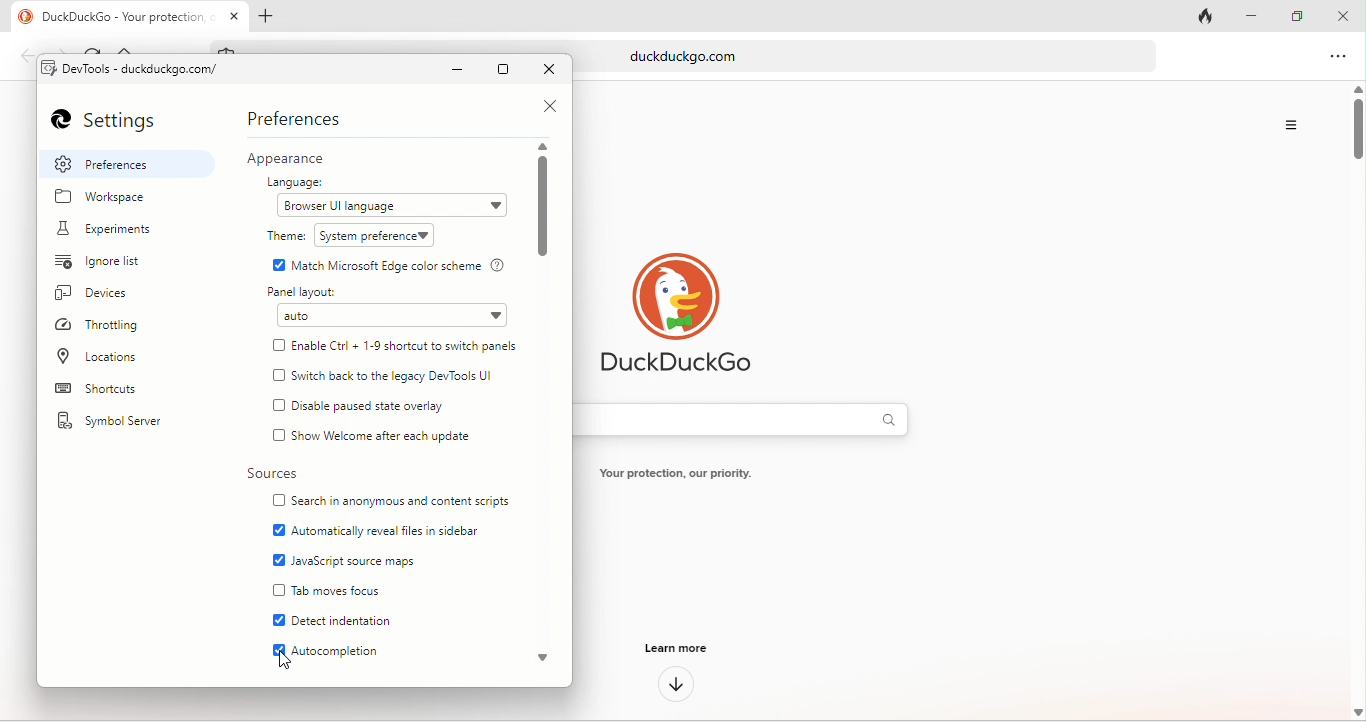 This screenshot has width=1366, height=722. Describe the element at coordinates (757, 420) in the screenshot. I see `search bar` at that location.